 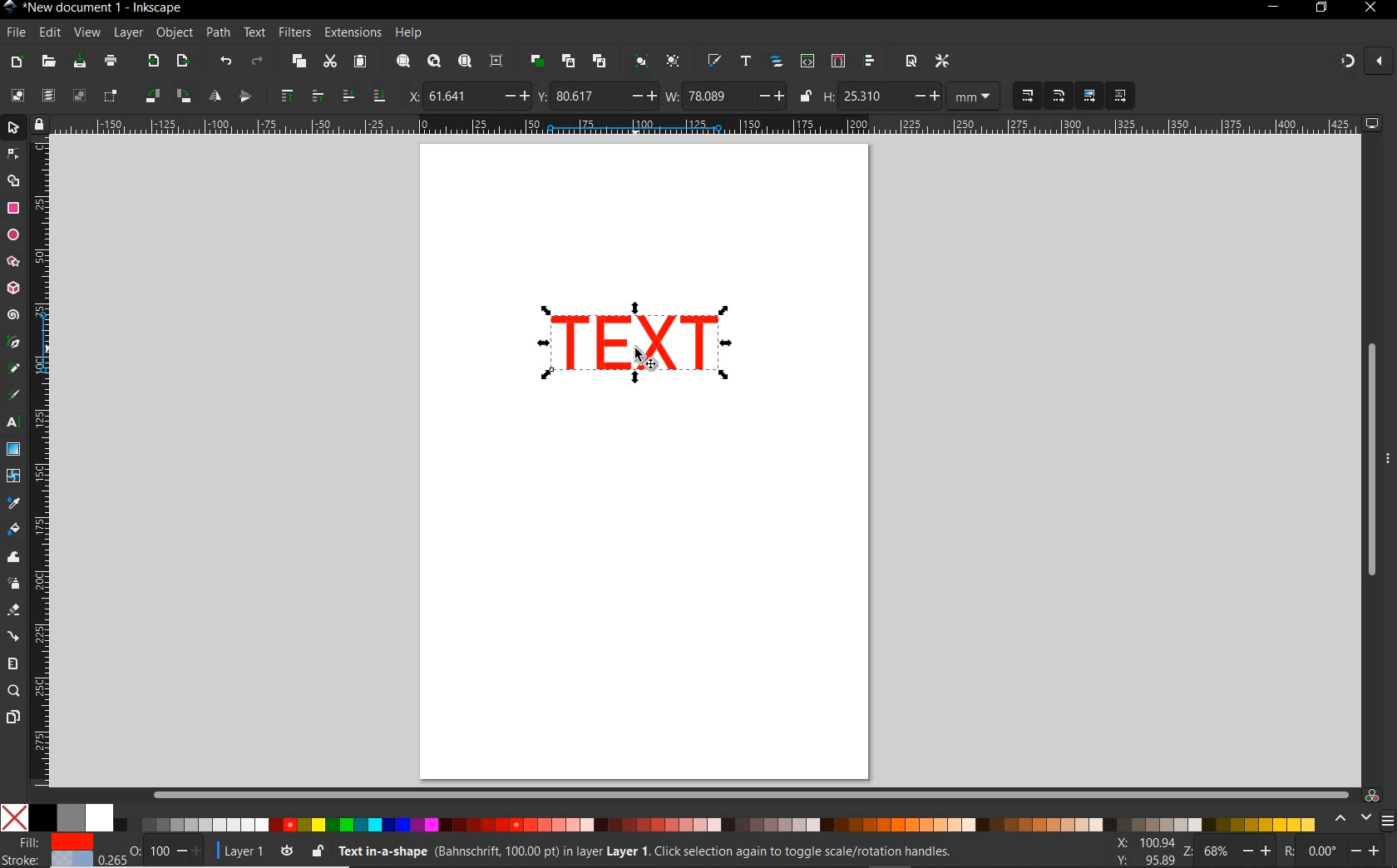 What do you see at coordinates (537, 61) in the screenshot?
I see `duplicate` at bounding box center [537, 61].